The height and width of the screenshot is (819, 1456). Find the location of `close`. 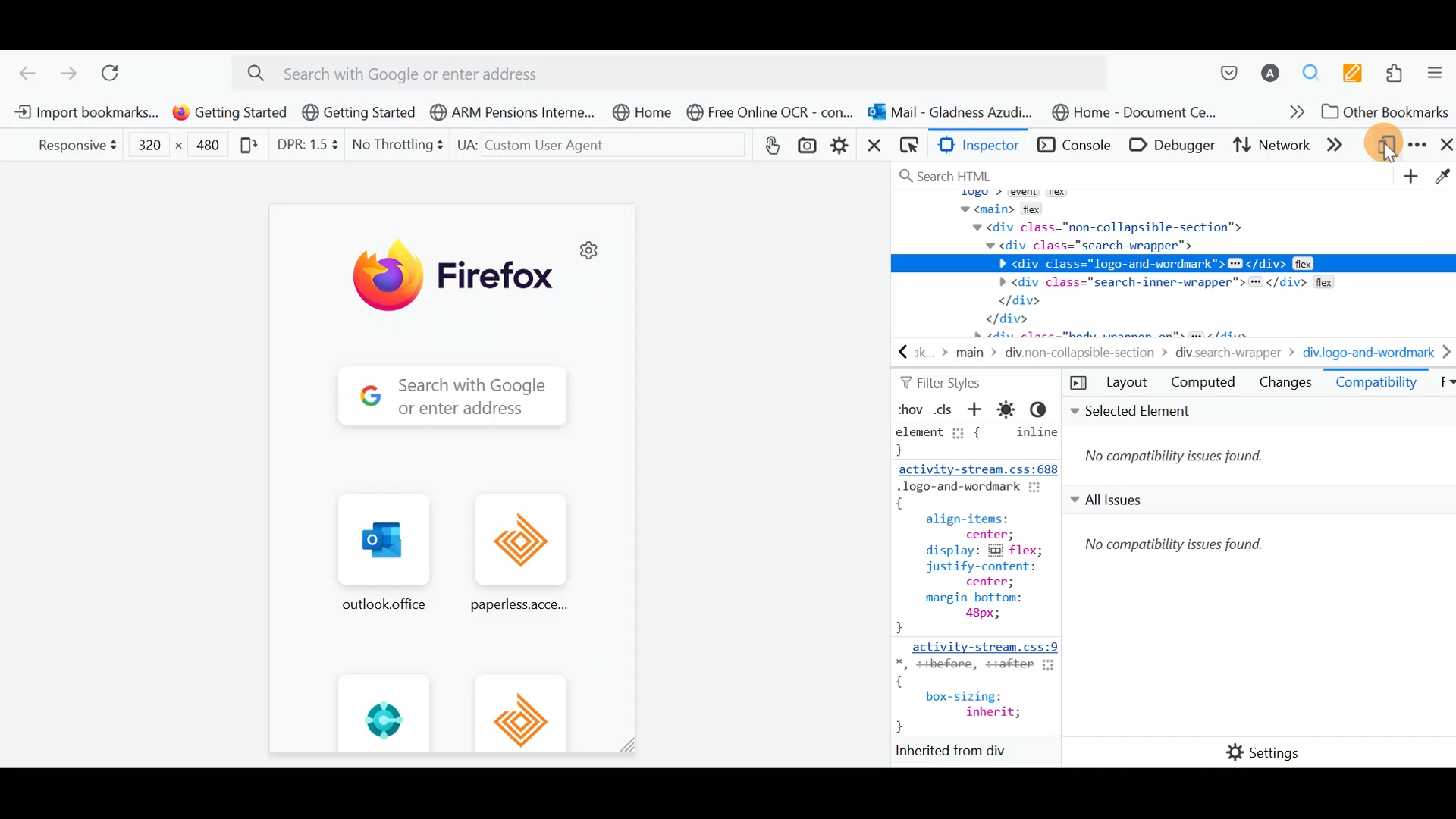

close is located at coordinates (873, 149).